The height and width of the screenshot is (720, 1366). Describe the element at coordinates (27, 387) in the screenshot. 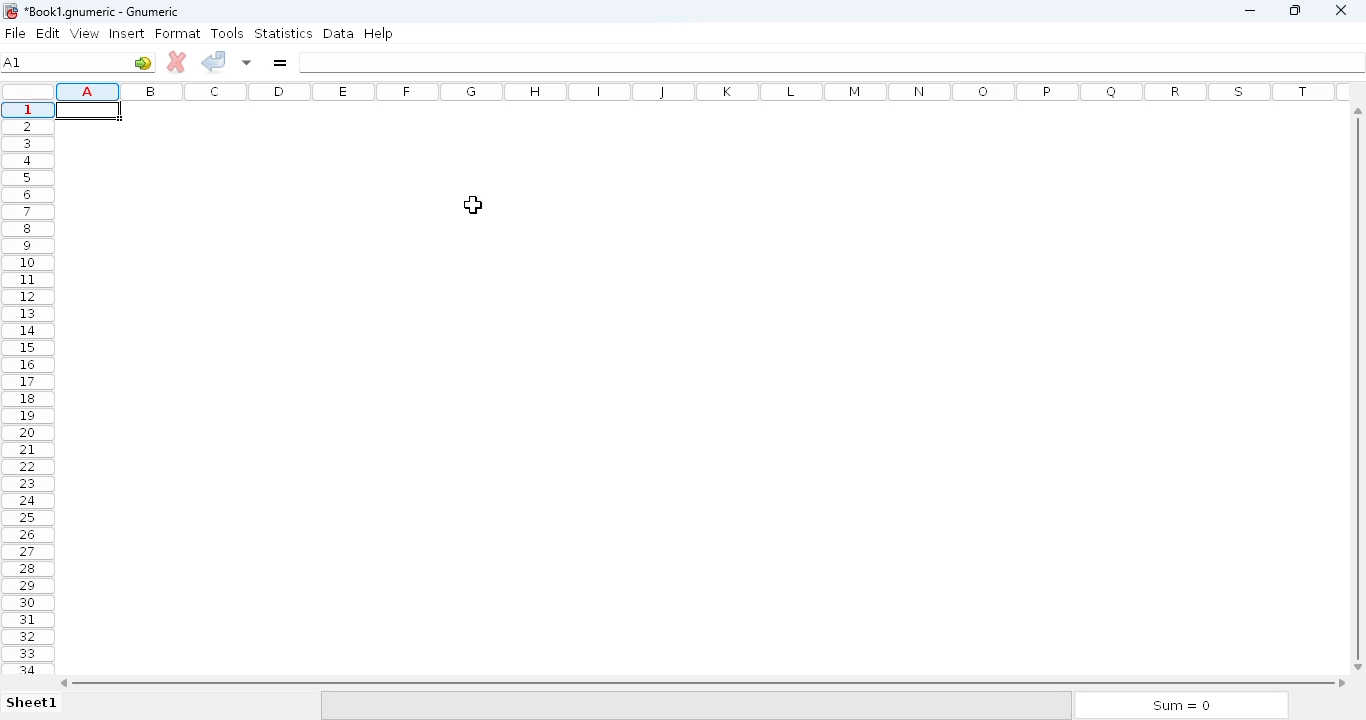

I see `rows` at that location.